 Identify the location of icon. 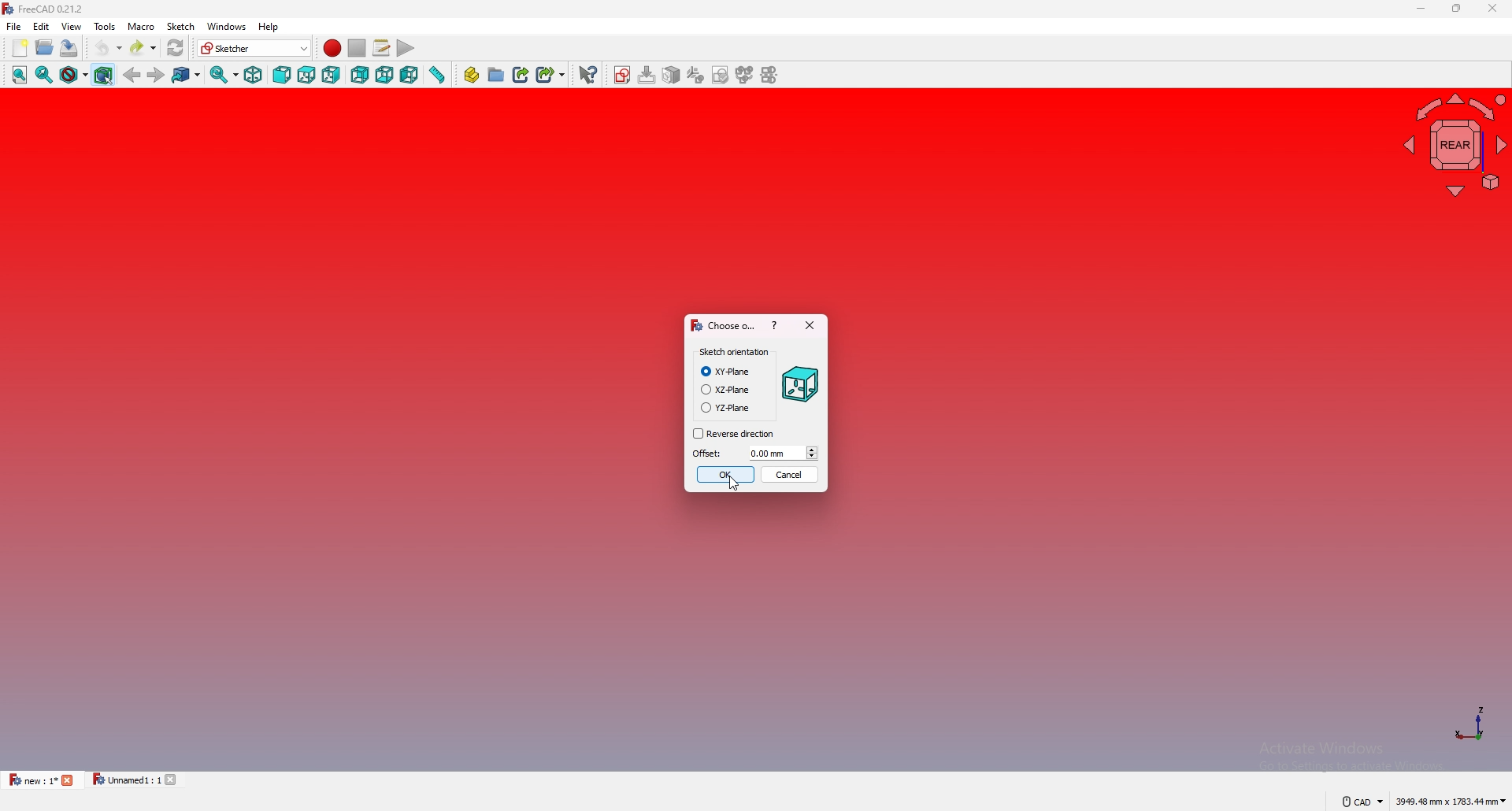
(674, 74).